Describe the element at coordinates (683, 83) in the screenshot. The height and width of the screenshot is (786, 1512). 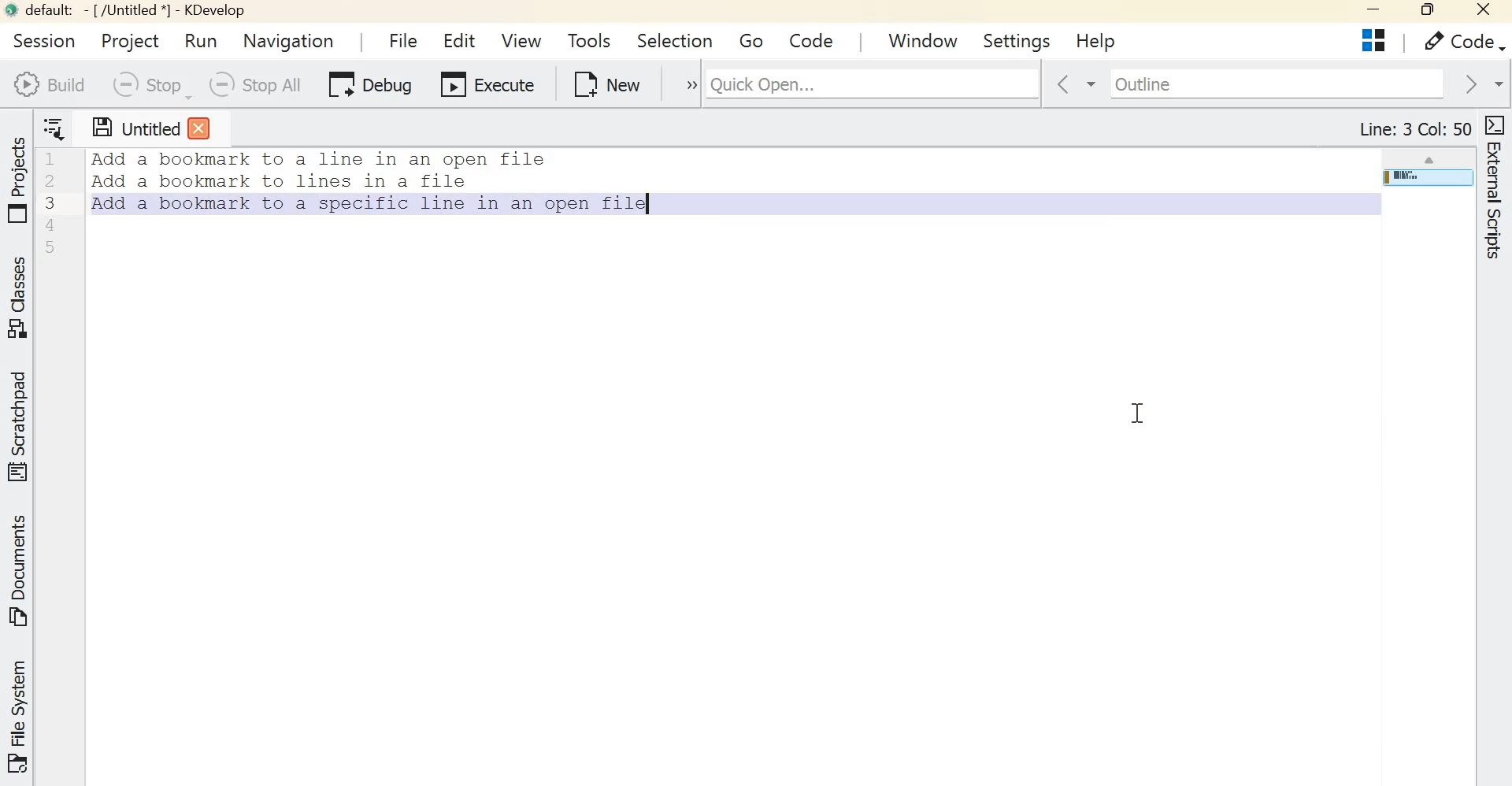
I see `expand` at that location.